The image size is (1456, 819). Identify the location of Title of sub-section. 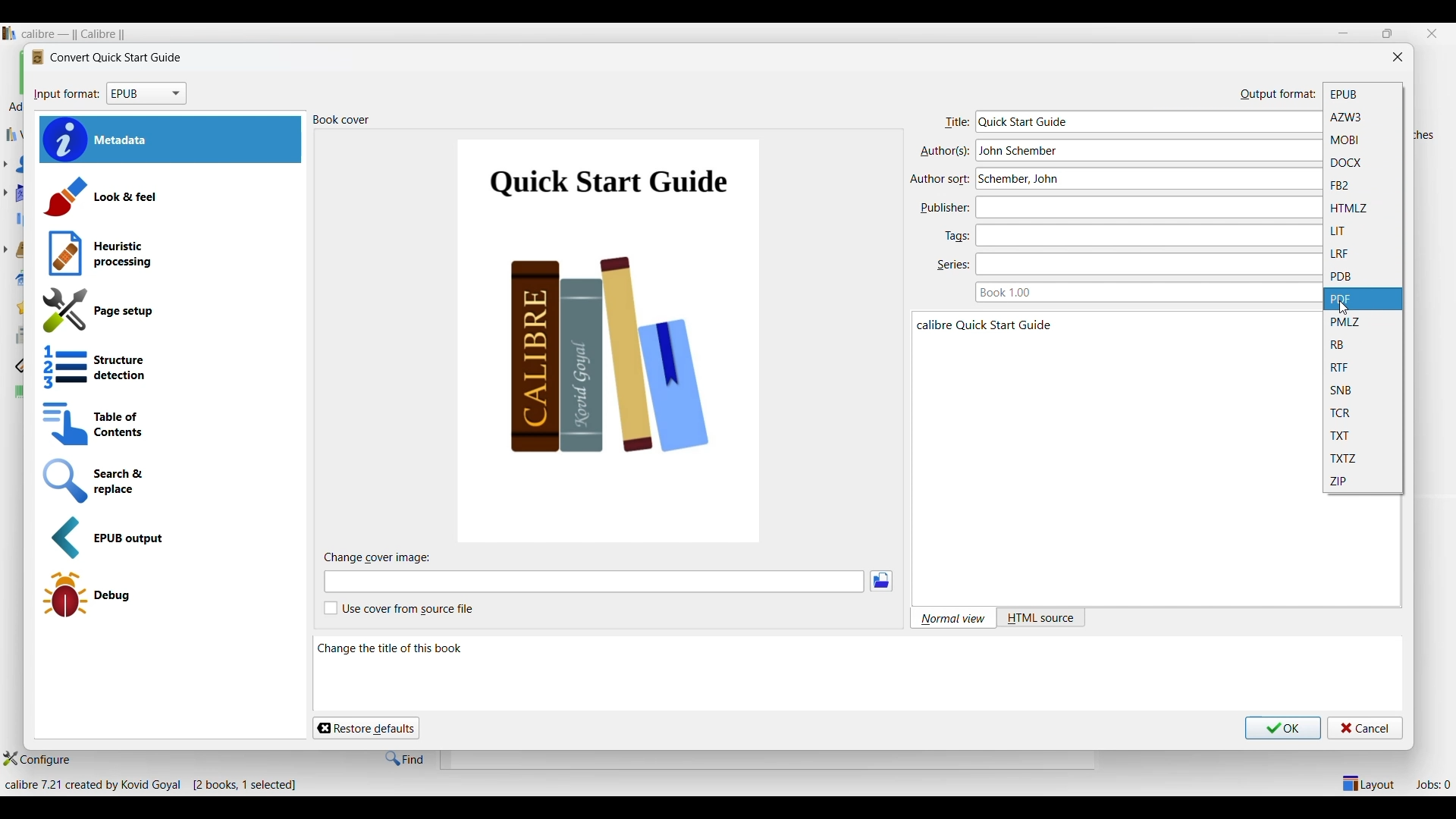
(379, 557).